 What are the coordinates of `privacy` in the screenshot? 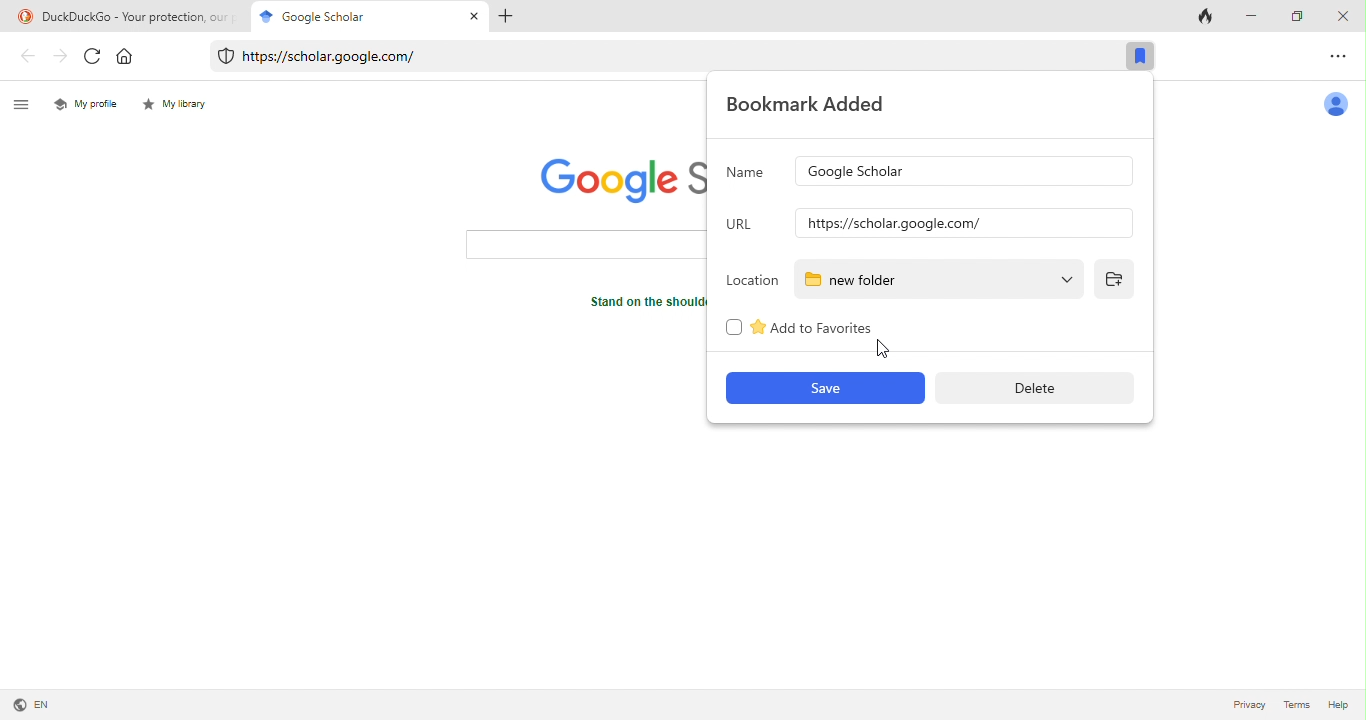 It's located at (1249, 707).